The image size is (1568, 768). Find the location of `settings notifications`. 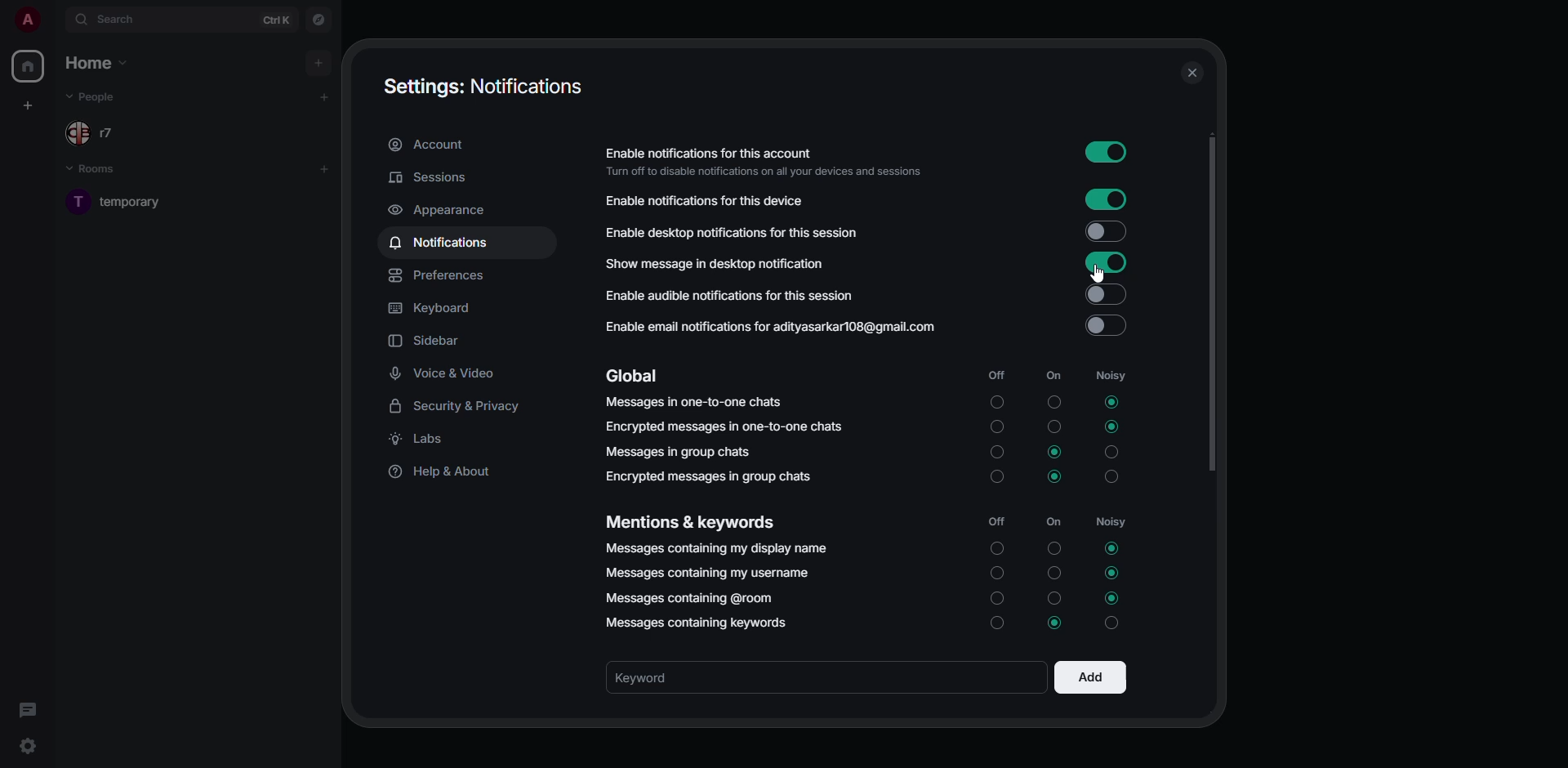

settings notifications is located at coordinates (482, 86).